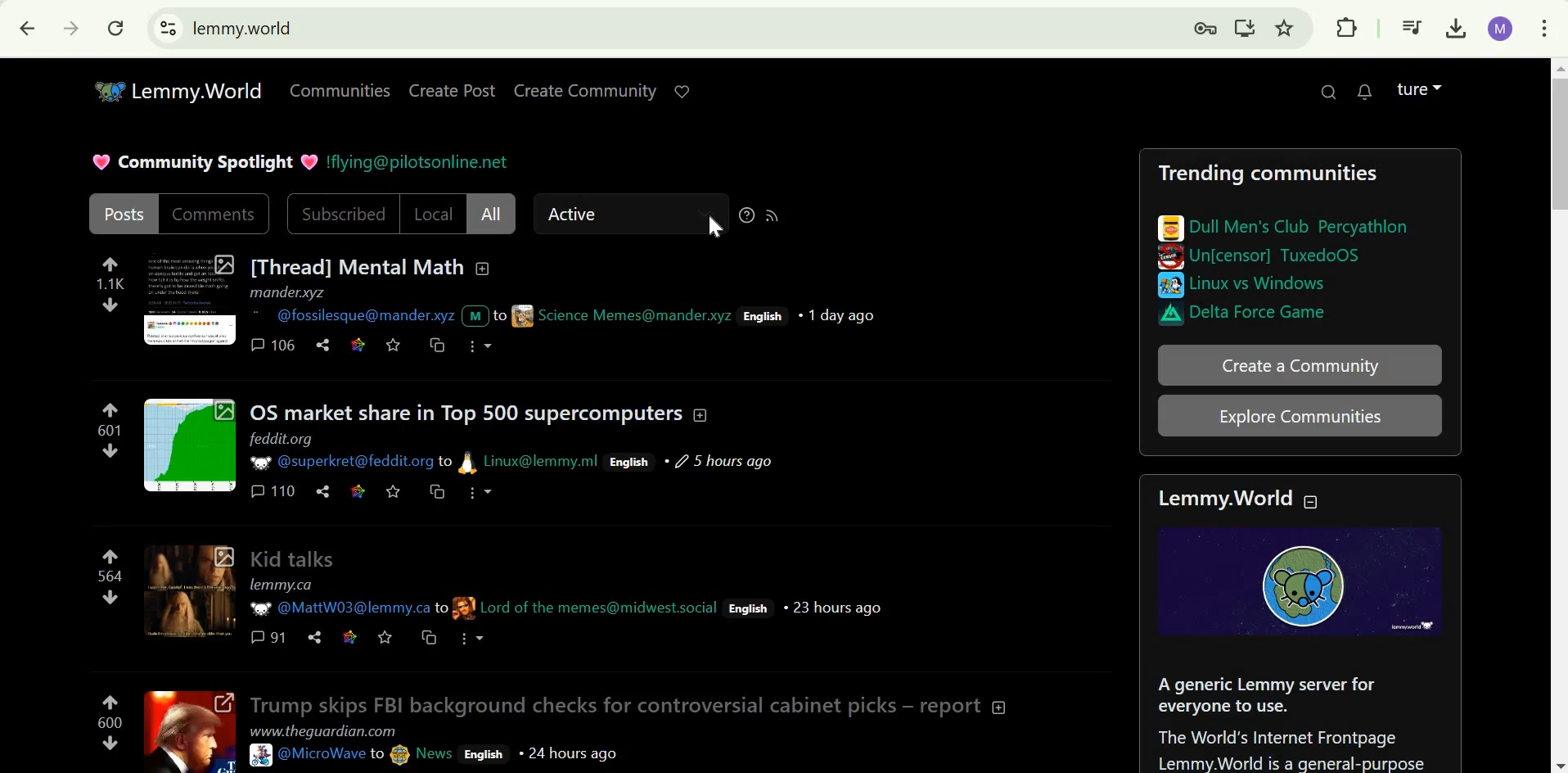 This screenshot has width=1568, height=773. Describe the element at coordinates (1558, 416) in the screenshot. I see `Scrollbar` at that location.